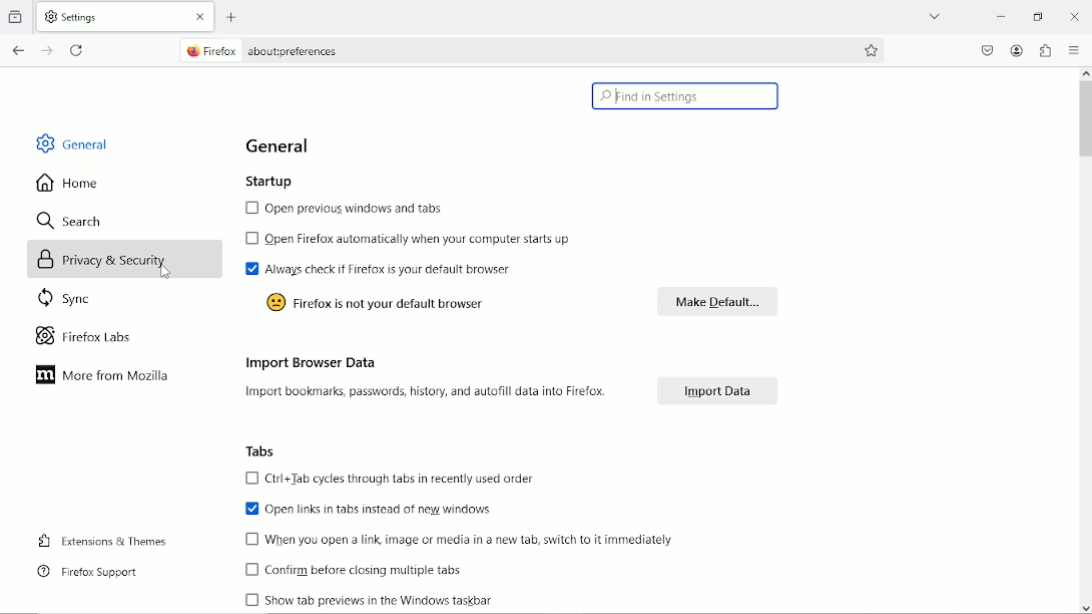 The height and width of the screenshot is (614, 1092). What do you see at coordinates (253, 239) in the screenshot?
I see `check box` at bounding box center [253, 239].